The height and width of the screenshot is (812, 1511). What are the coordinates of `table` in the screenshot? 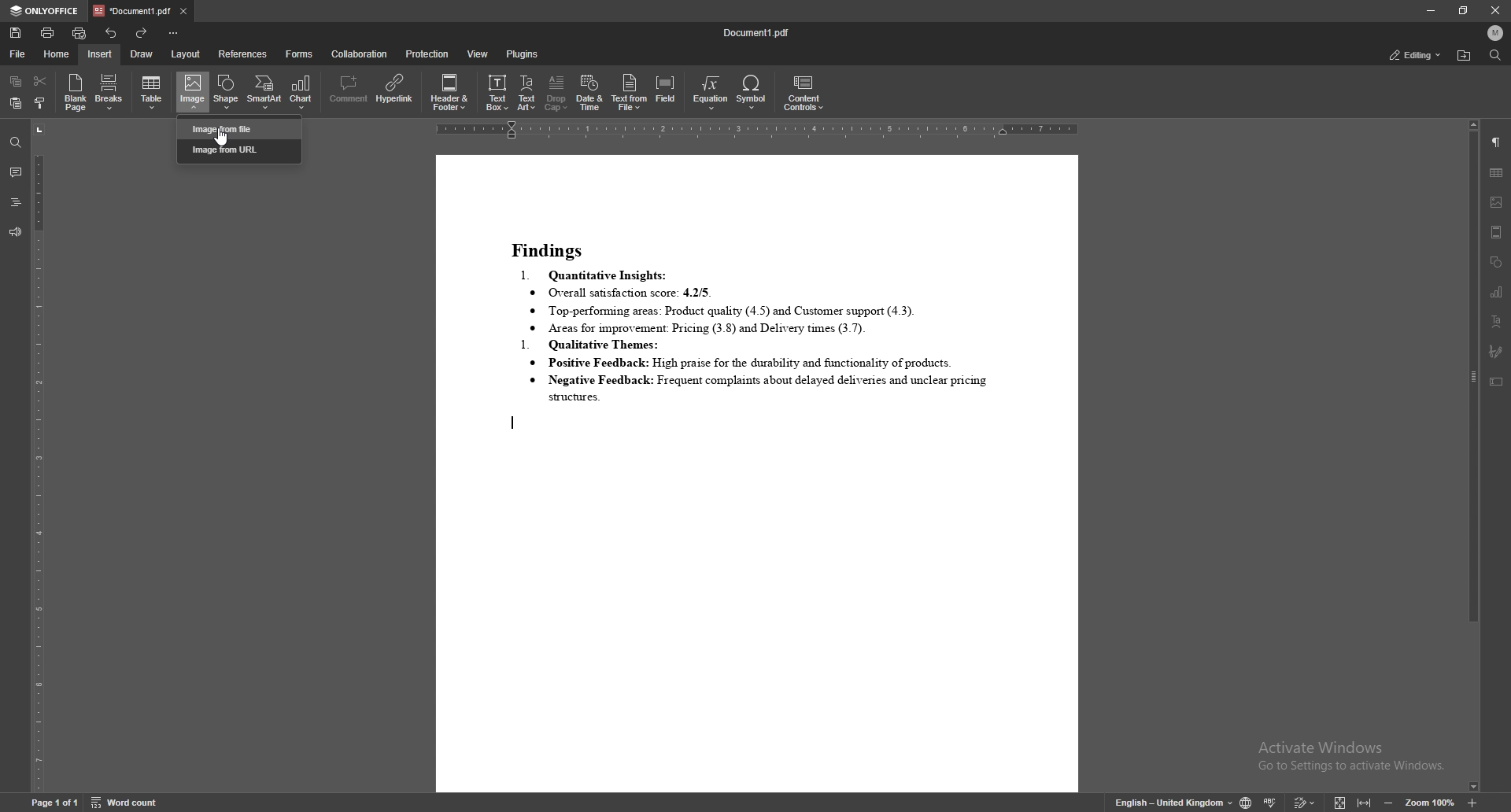 It's located at (153, 92).